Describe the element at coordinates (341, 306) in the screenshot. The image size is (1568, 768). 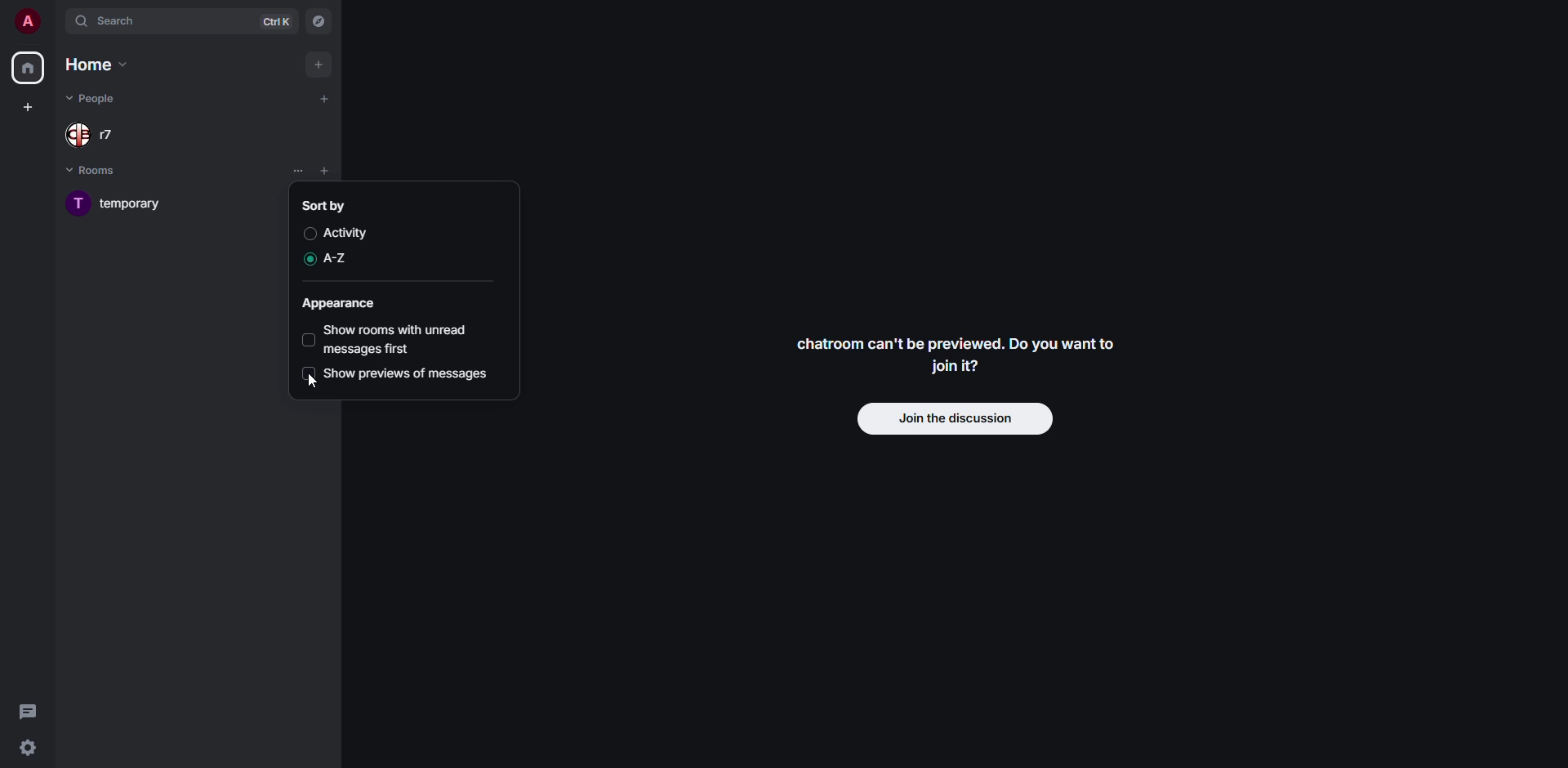
I see `appearance` at that location.